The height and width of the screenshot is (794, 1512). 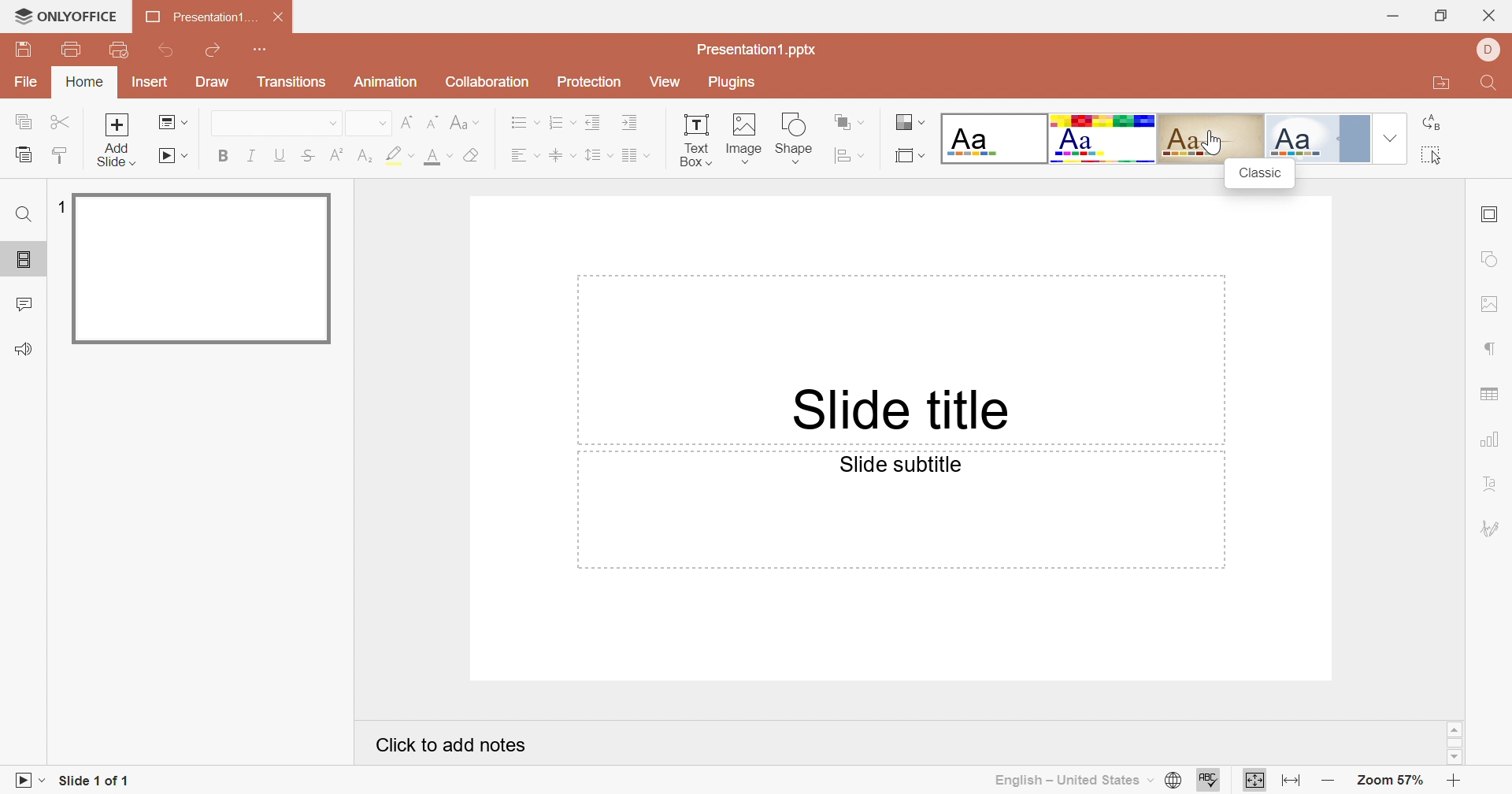 What do you see at coordinates (406, 124) in the screenshot?
I see `Increment font size` at bounding box center [406, 124].